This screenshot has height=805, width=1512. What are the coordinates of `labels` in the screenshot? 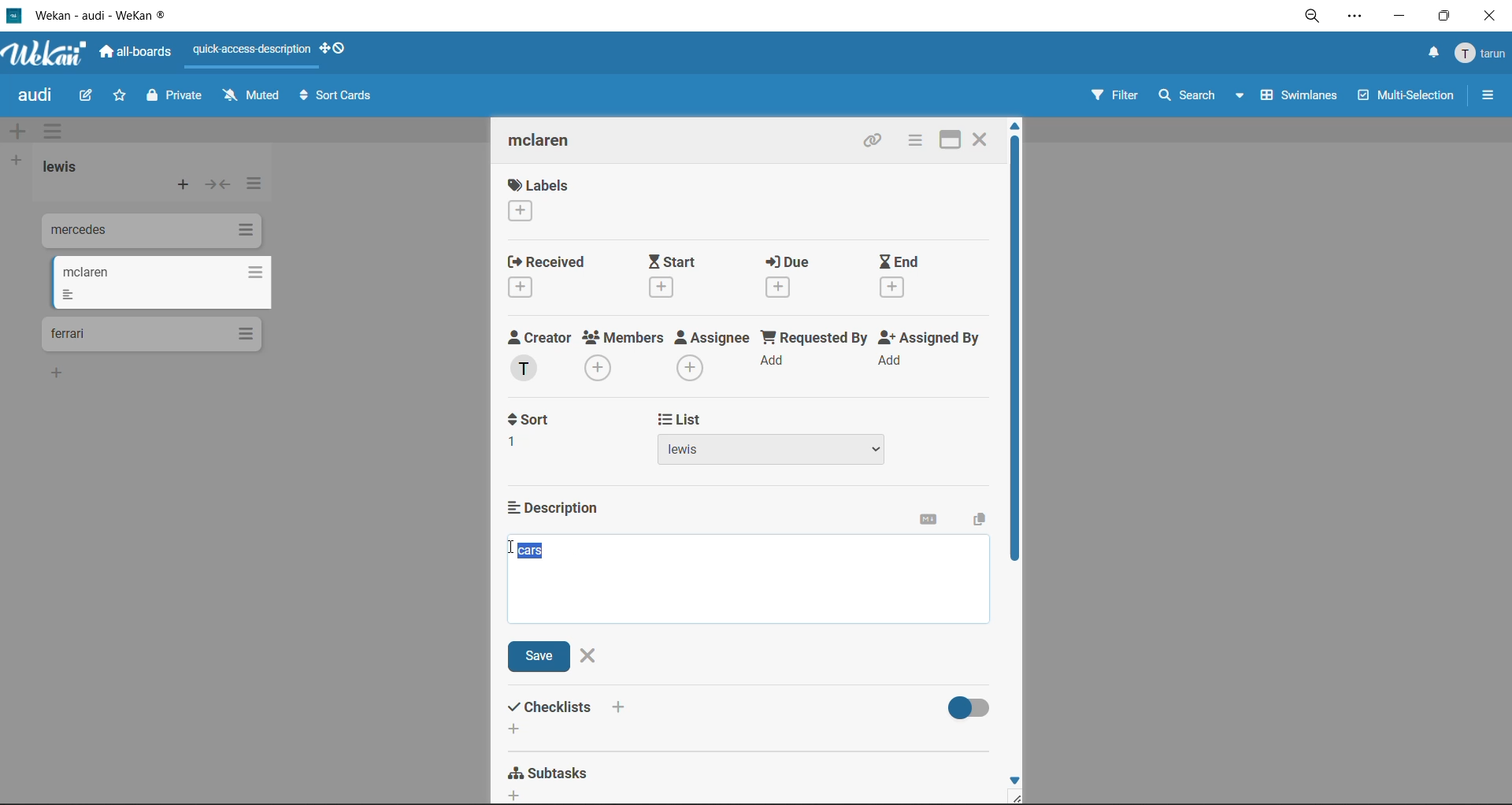 It's located at (539, 199).